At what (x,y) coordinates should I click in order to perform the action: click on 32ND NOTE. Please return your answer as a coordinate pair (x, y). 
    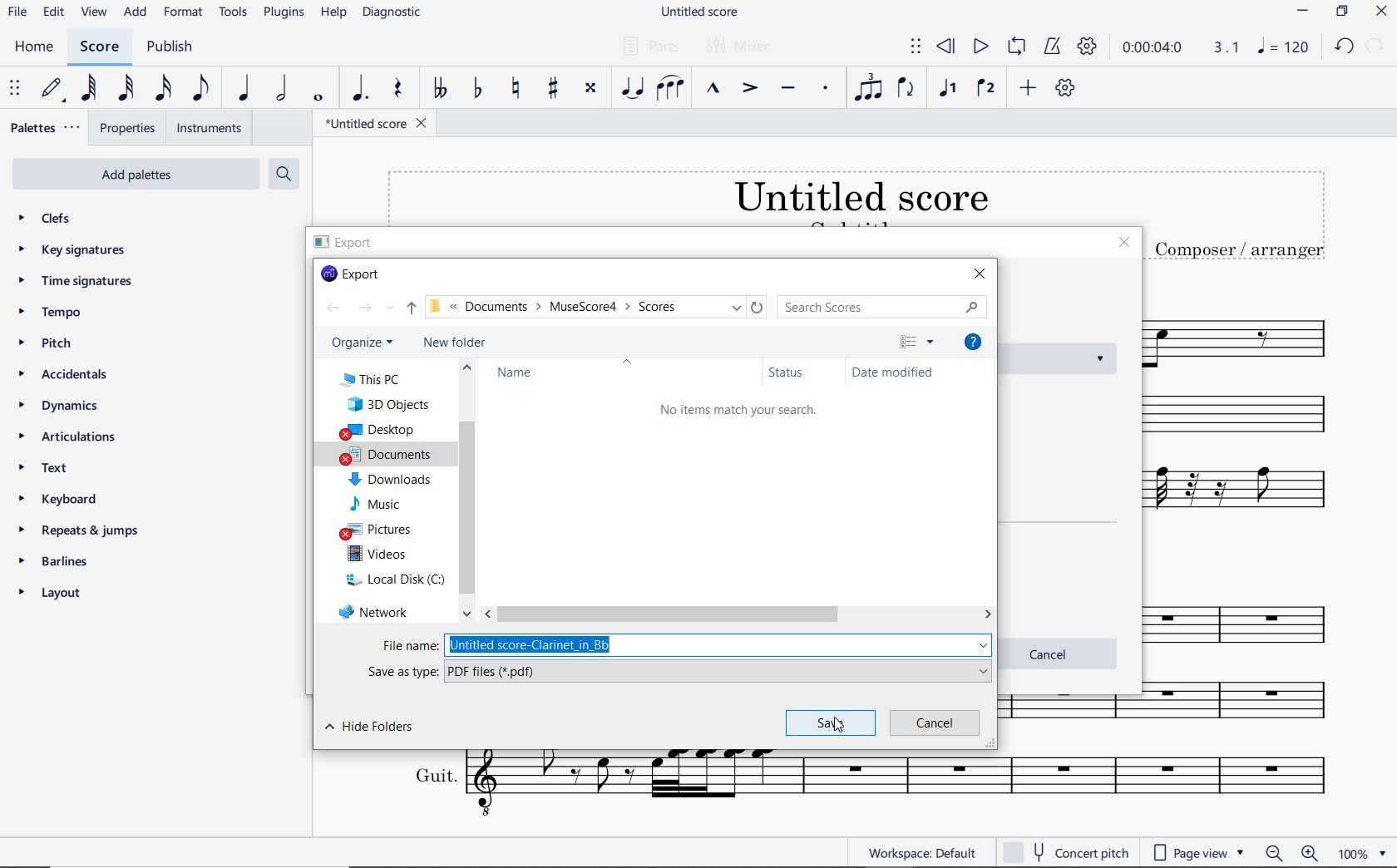
    Looking at the image, I should click on (126, 89).